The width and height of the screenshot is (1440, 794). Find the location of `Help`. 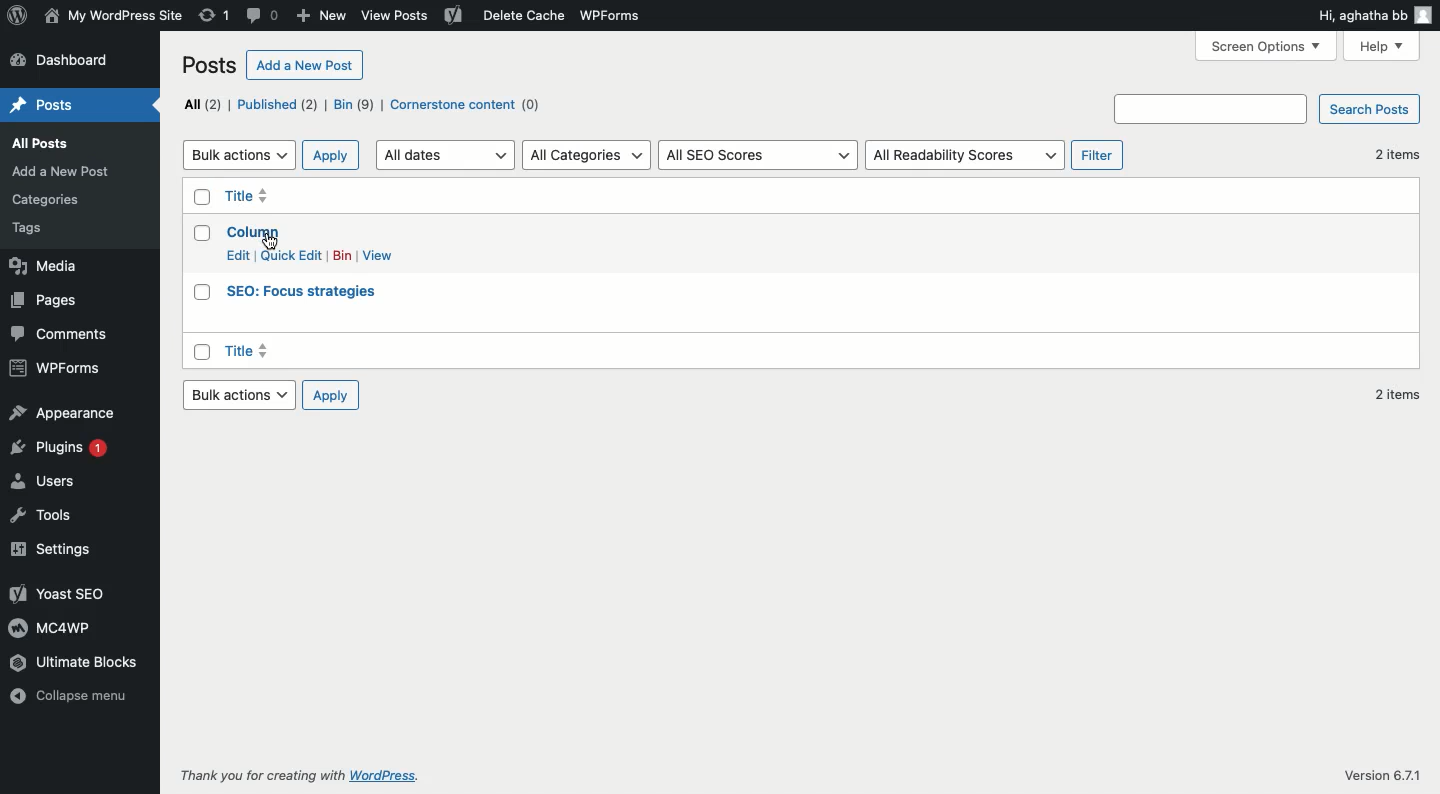

Help is located at coordinates (1384, 47).